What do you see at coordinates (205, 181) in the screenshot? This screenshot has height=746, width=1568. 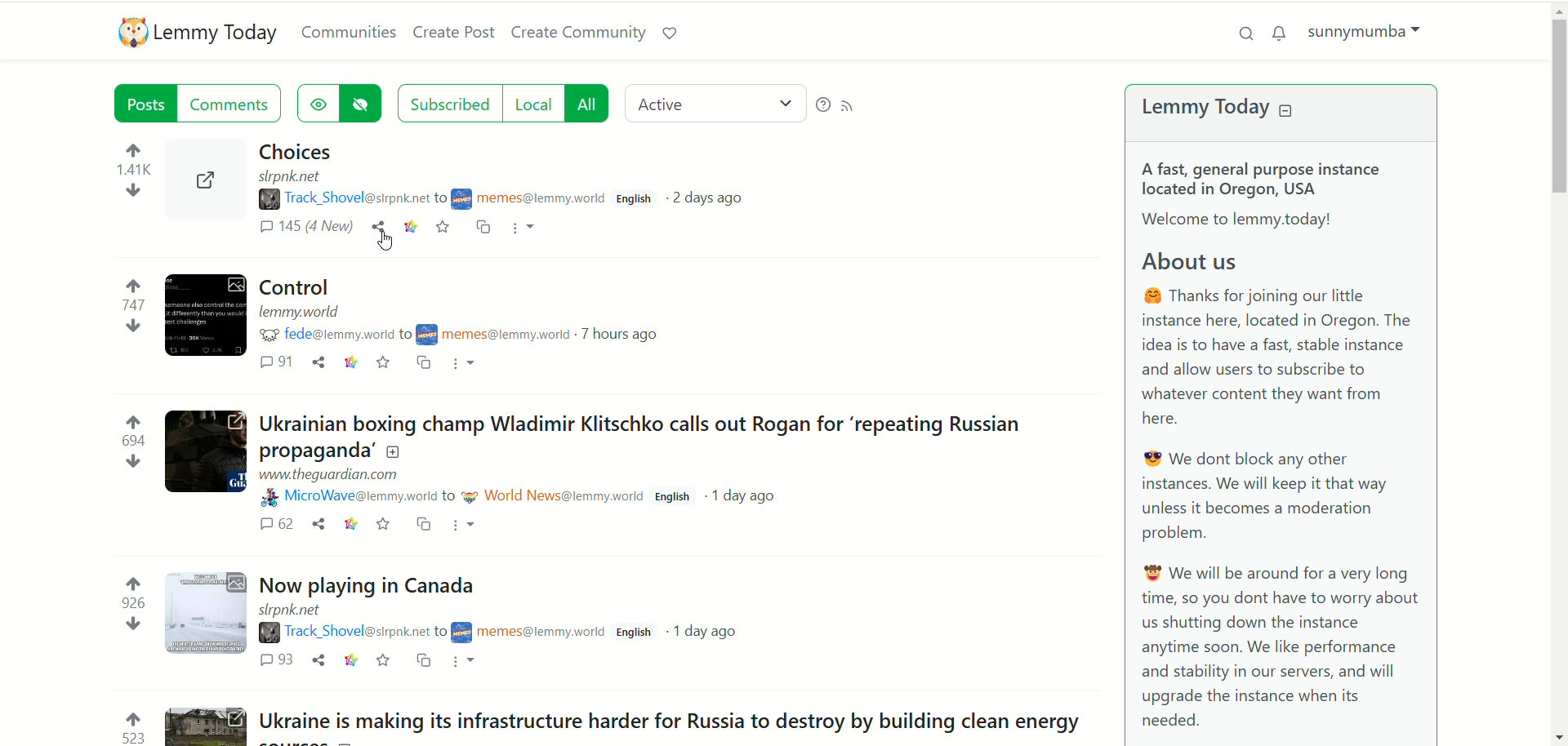 I see `Expand the post with the image` at bounding box center [205, 181].